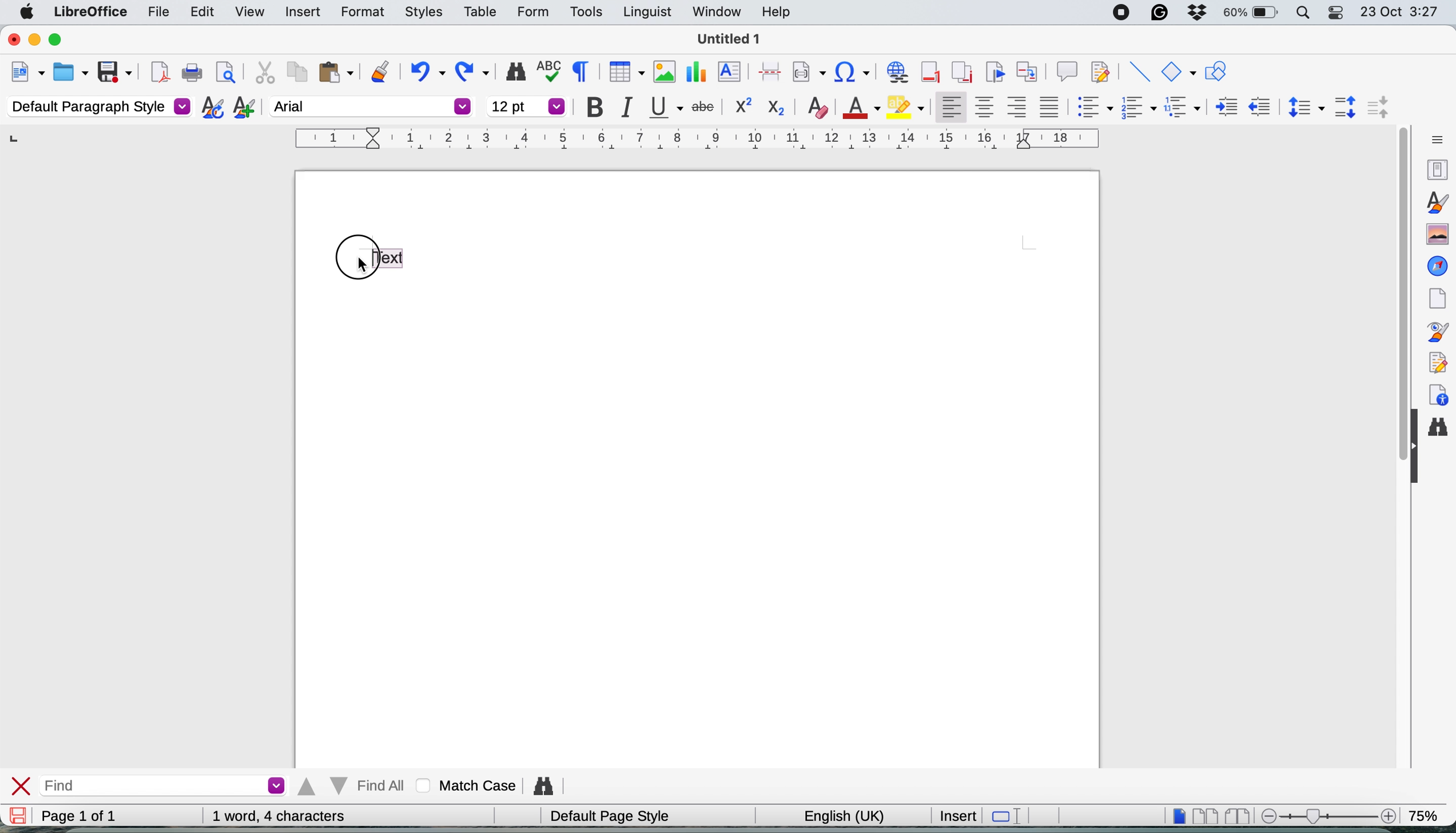 The height and width of the screenshot is (833, 1456). Describe the element at coordinates (661, 71) in the screenshot. I see `insert image` at that location.